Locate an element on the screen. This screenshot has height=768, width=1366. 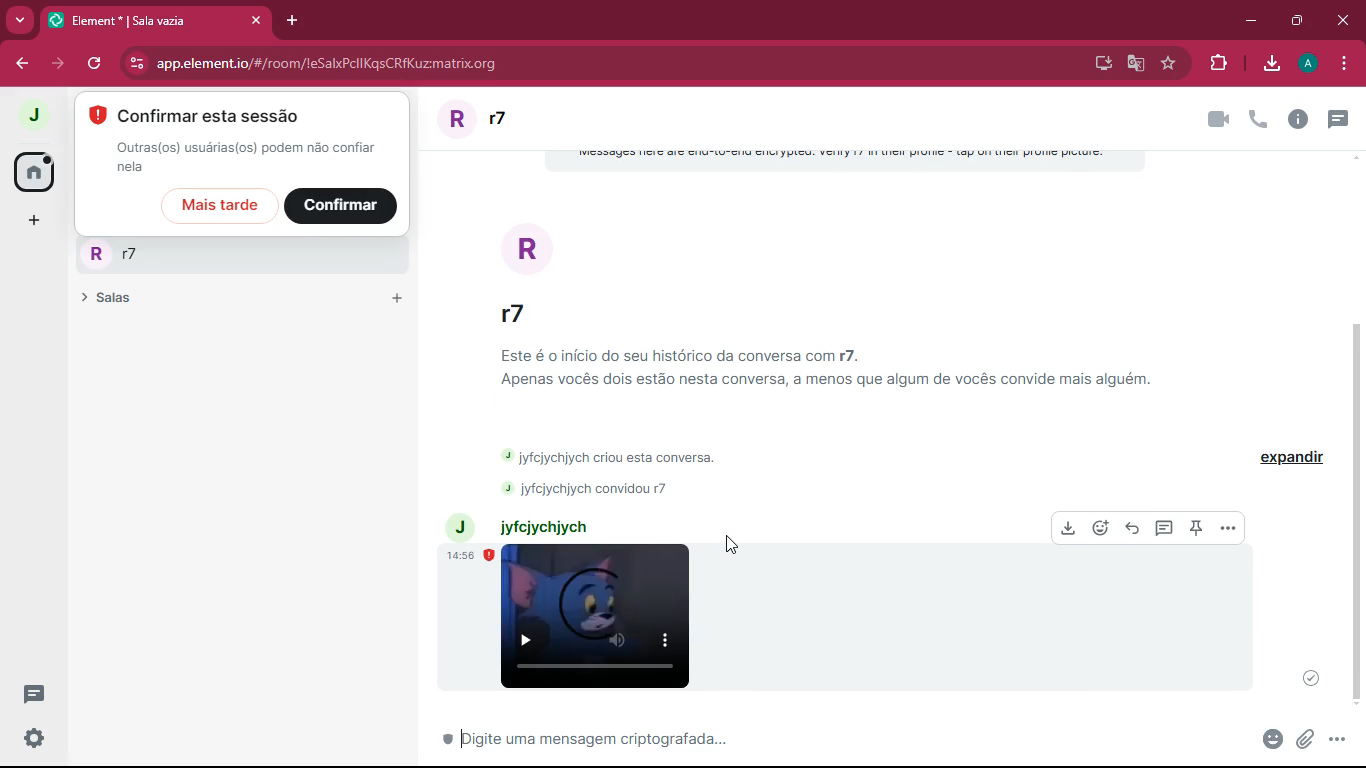
settings is located at coordinates (33, 739).